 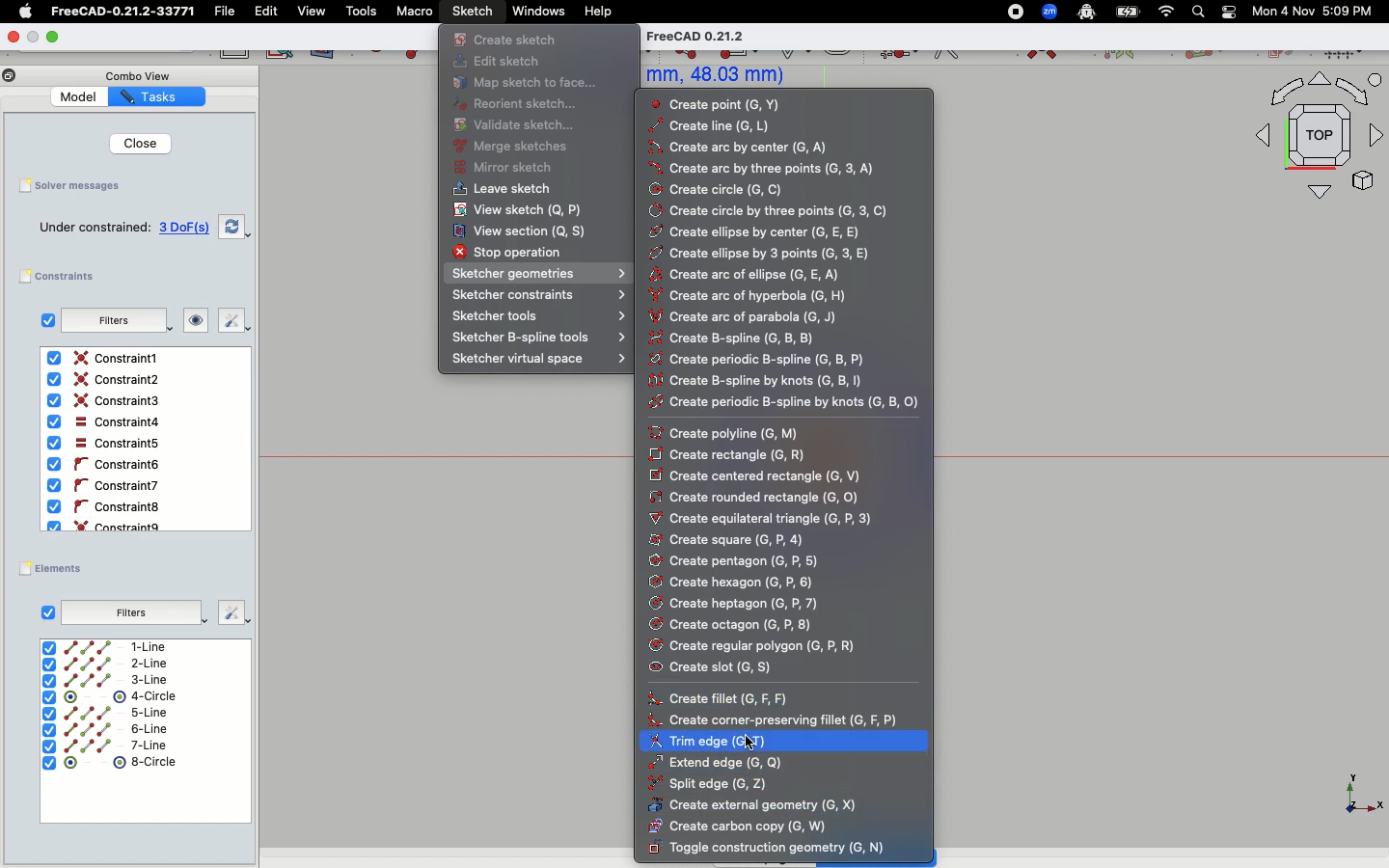 I want to click on view, so click(x=312, y=11).